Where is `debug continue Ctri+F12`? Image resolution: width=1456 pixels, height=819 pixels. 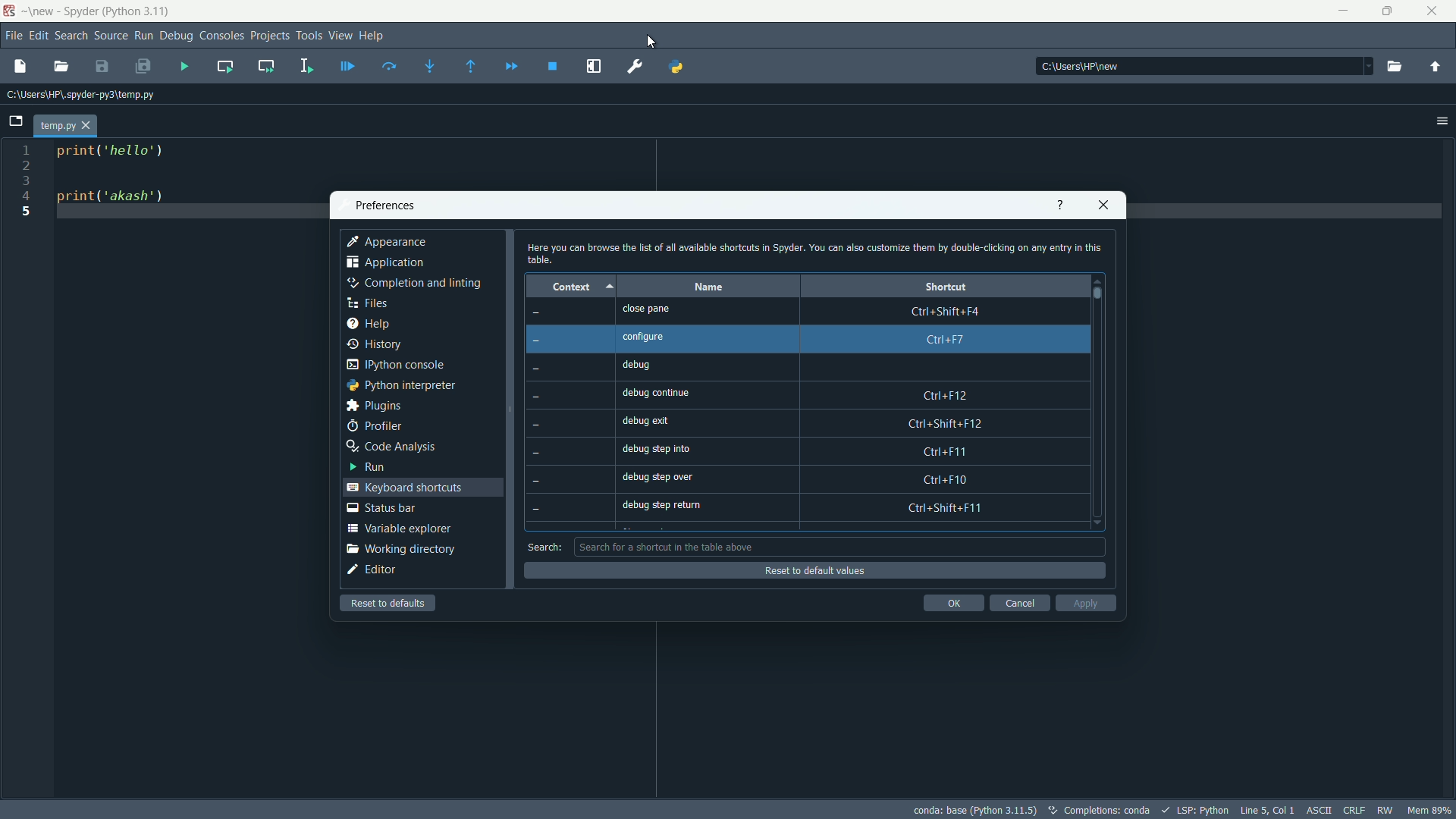 debug continue Ctri+F12 is located at coordinates (820, 393).